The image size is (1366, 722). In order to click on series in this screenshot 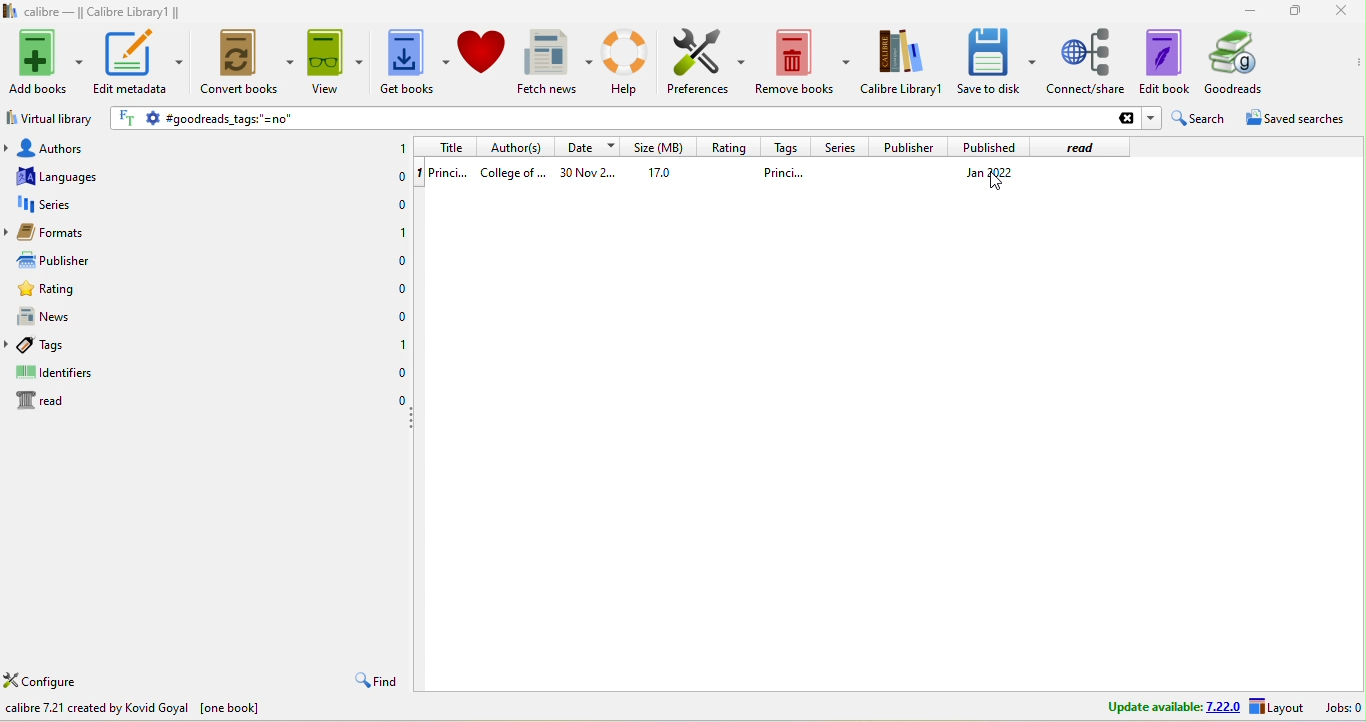, I will do `click(56, 207)`.